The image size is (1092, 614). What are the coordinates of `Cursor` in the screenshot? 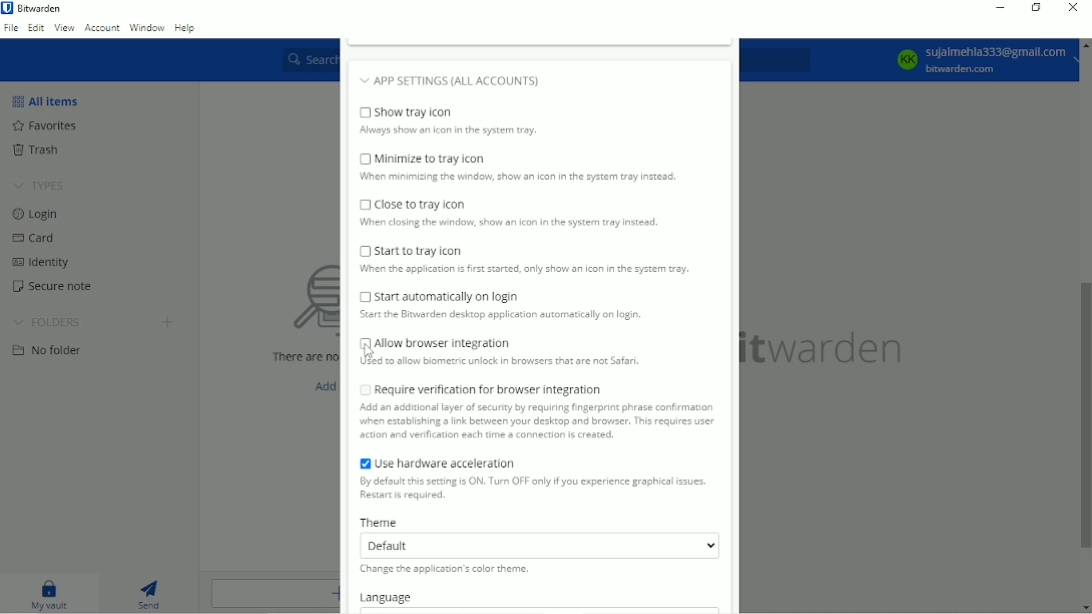 It's located at (368, 354).